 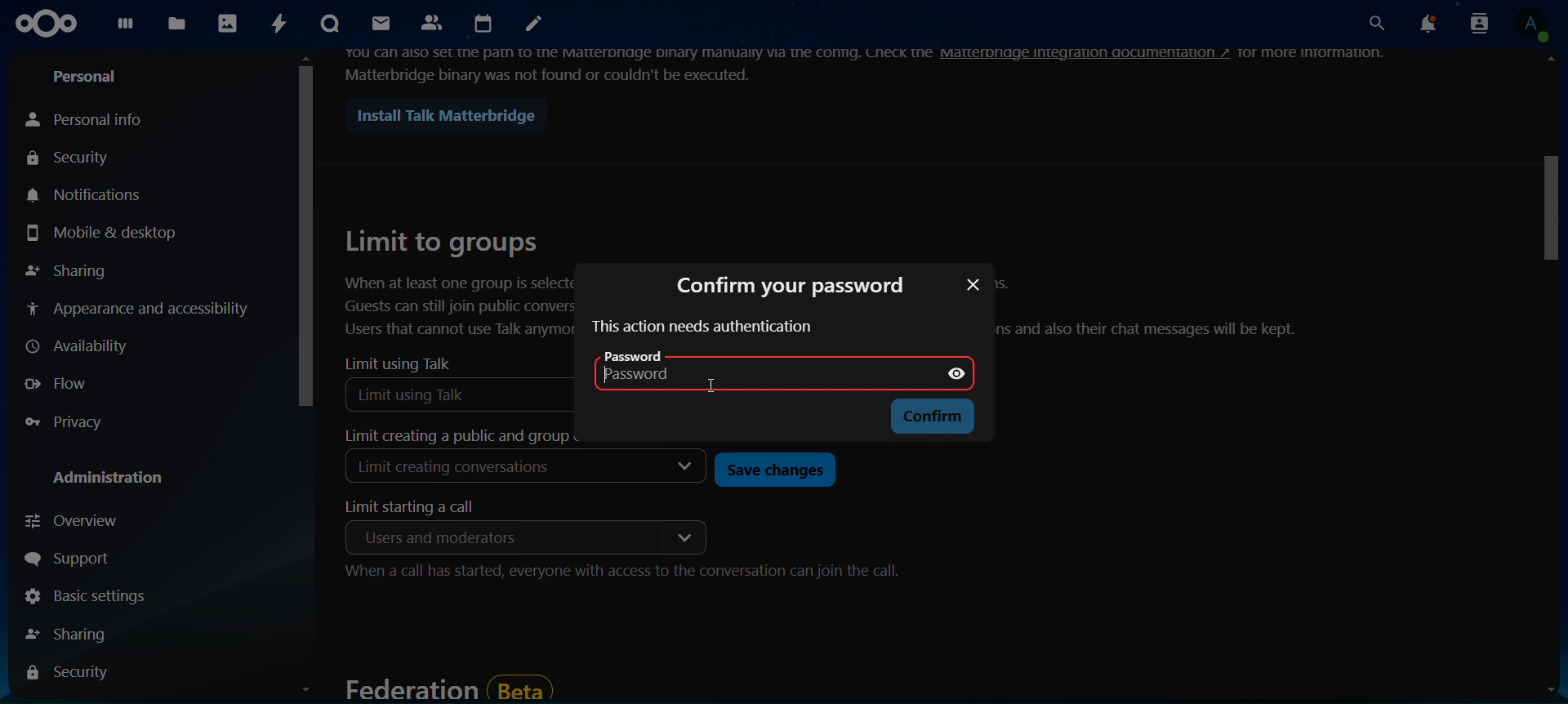 I want to click on administration, so click(x=114, y=479).